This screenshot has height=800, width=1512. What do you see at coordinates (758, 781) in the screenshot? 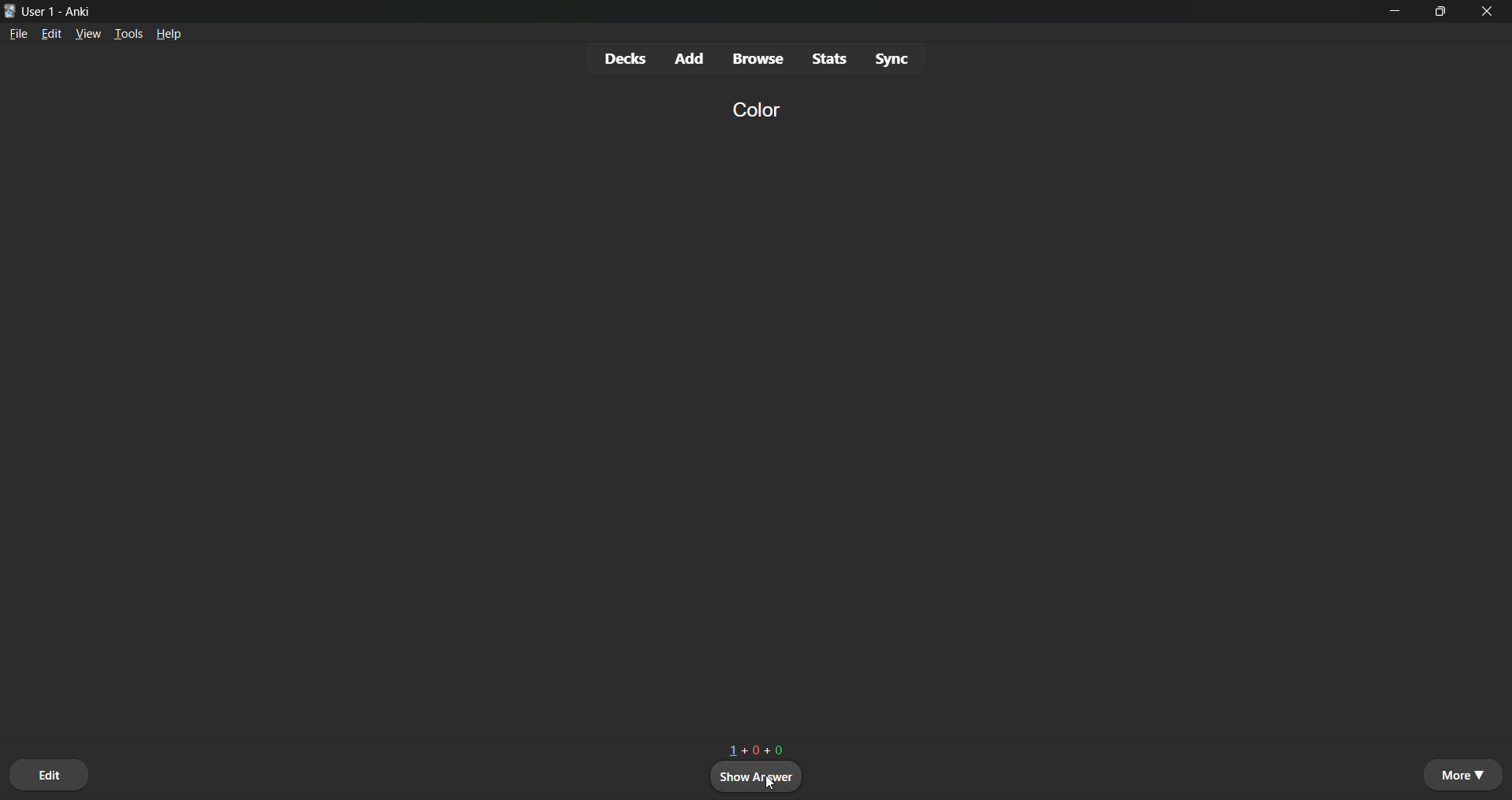
I see `cursor` at bounding box center [758, 781].